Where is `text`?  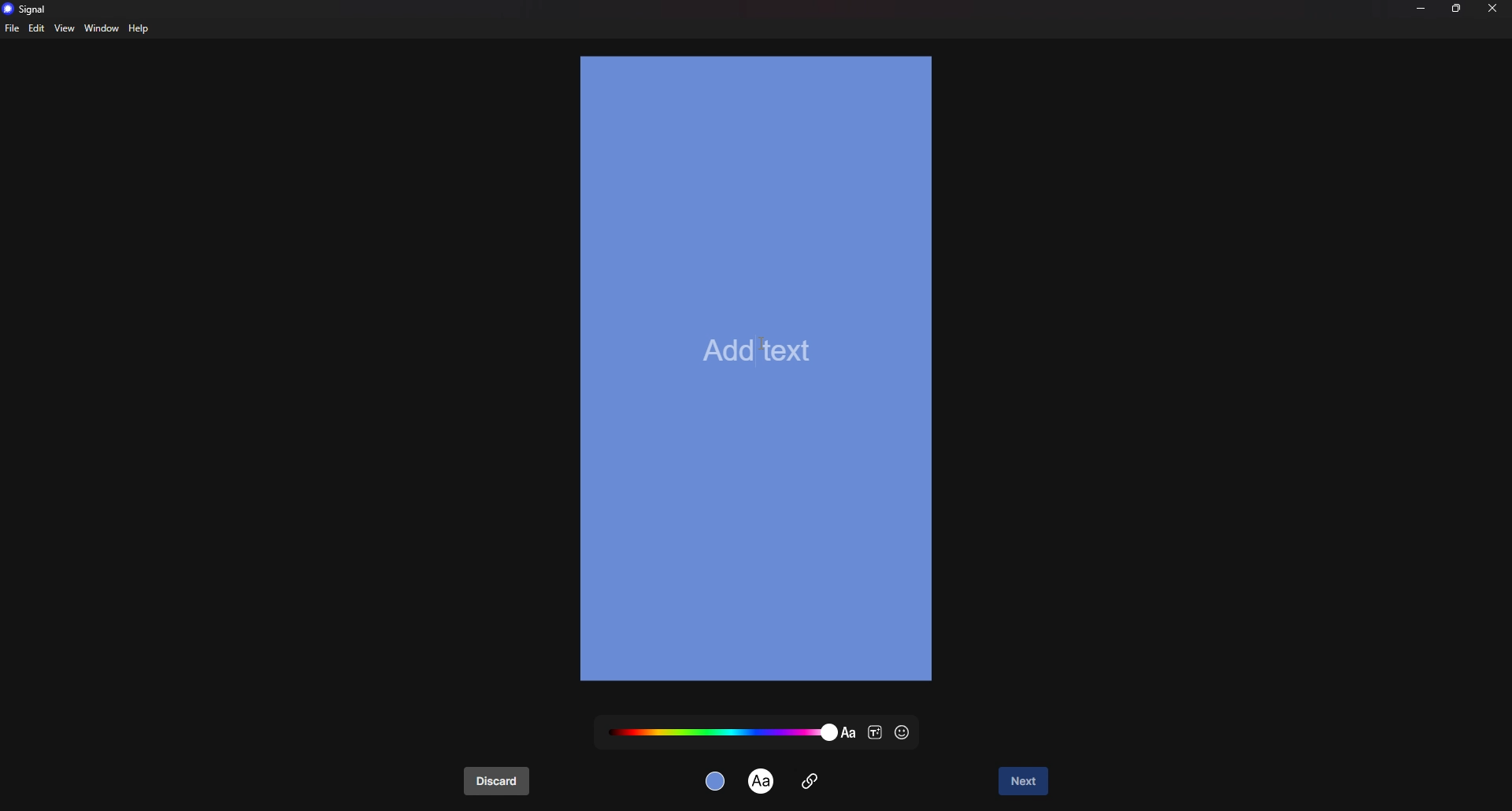 text is located at coordinates (849, 733).